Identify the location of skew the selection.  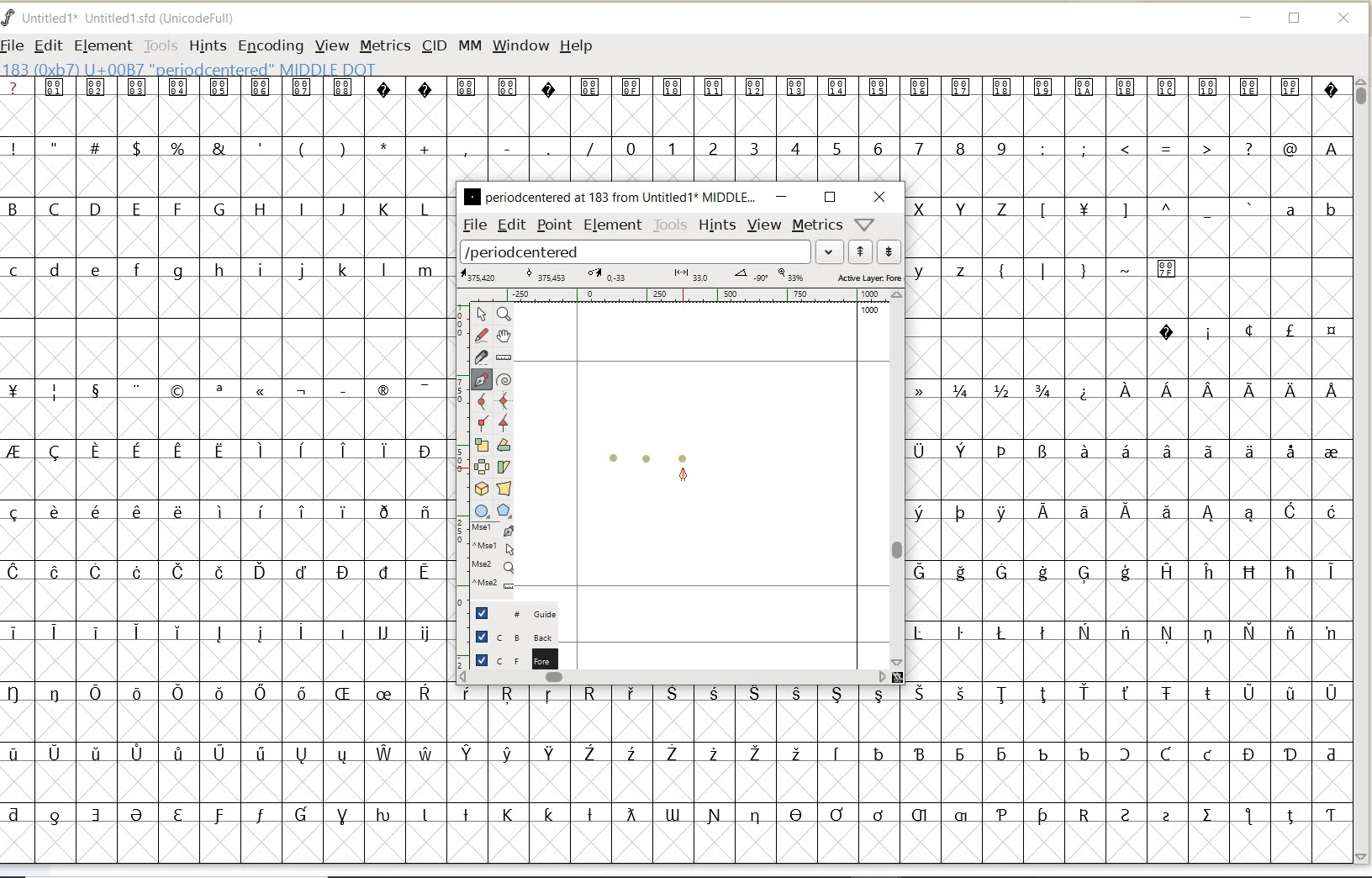
(504, 465).